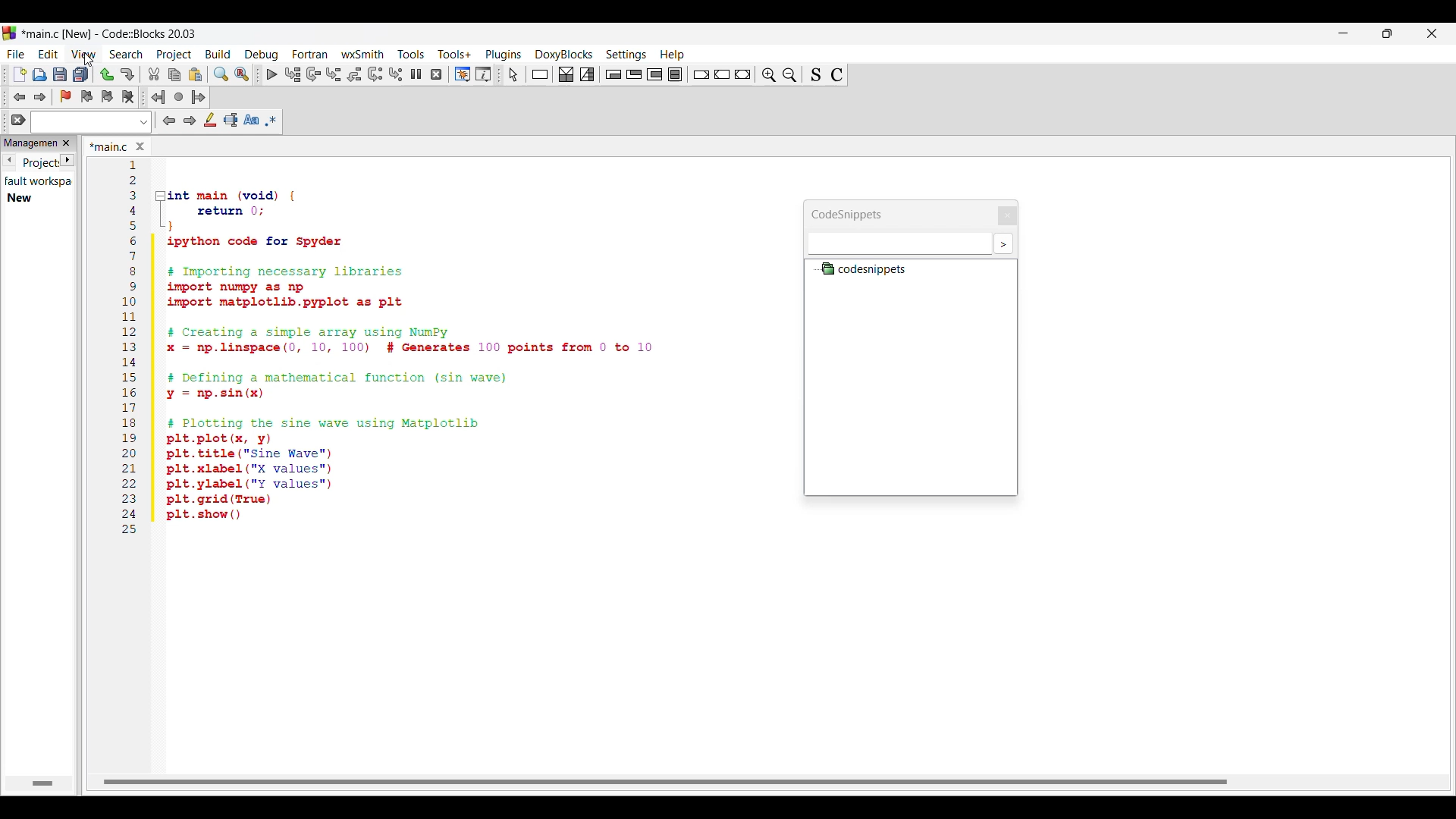  I want to click on Various info, so click(483, 74).